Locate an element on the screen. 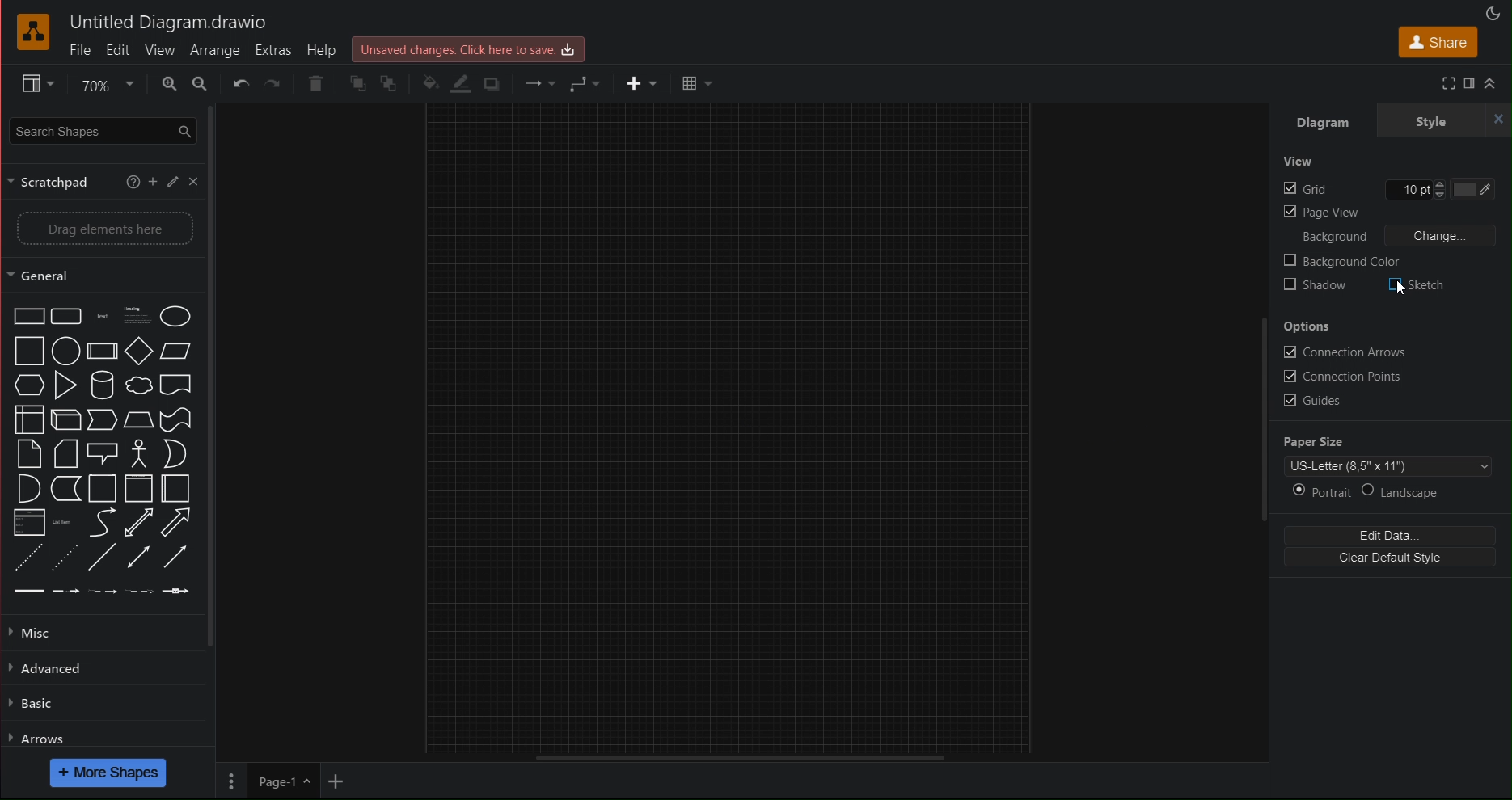  card is located at coordinates (64, 453).